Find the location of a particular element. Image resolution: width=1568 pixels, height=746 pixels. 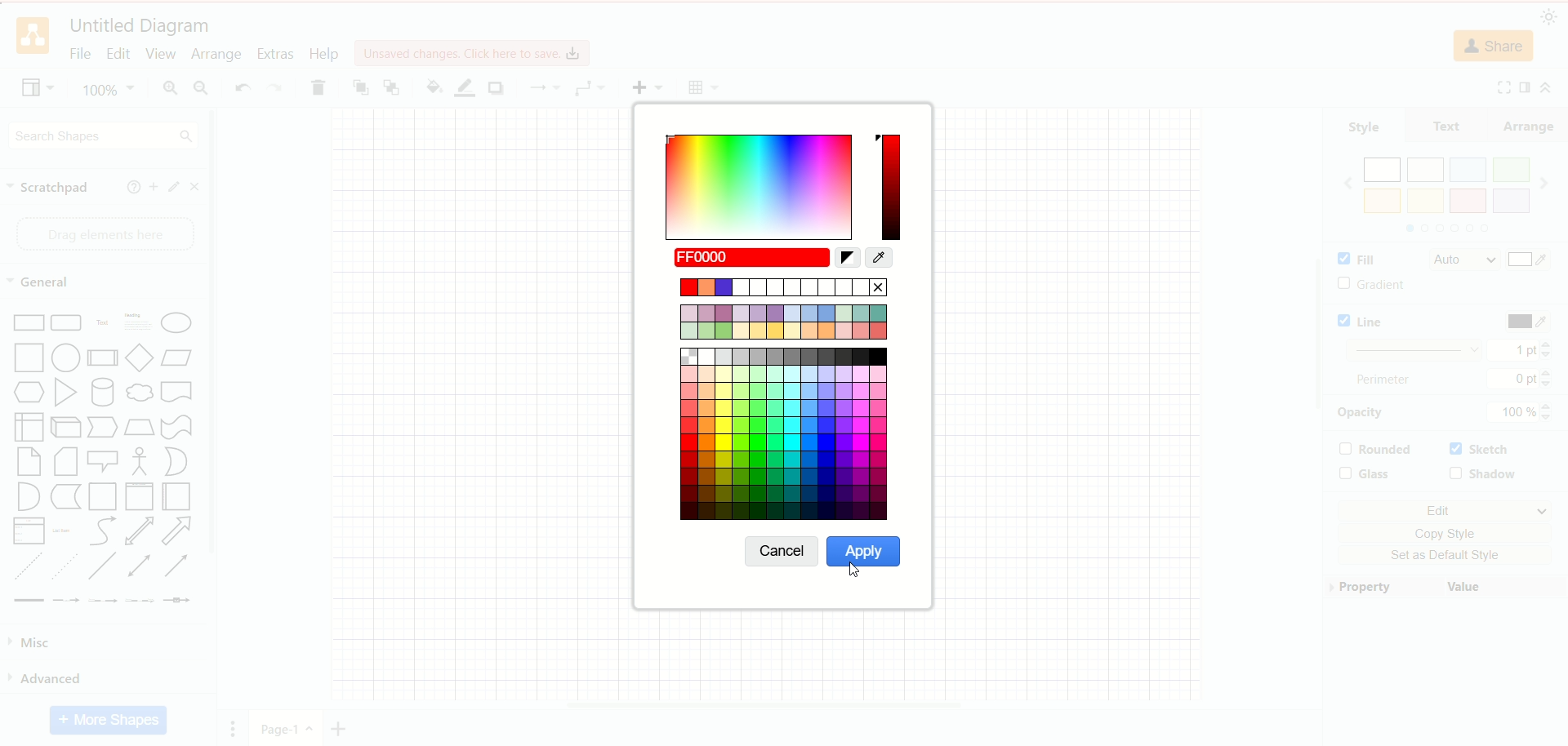

reset is located at coordinates (847, 259).